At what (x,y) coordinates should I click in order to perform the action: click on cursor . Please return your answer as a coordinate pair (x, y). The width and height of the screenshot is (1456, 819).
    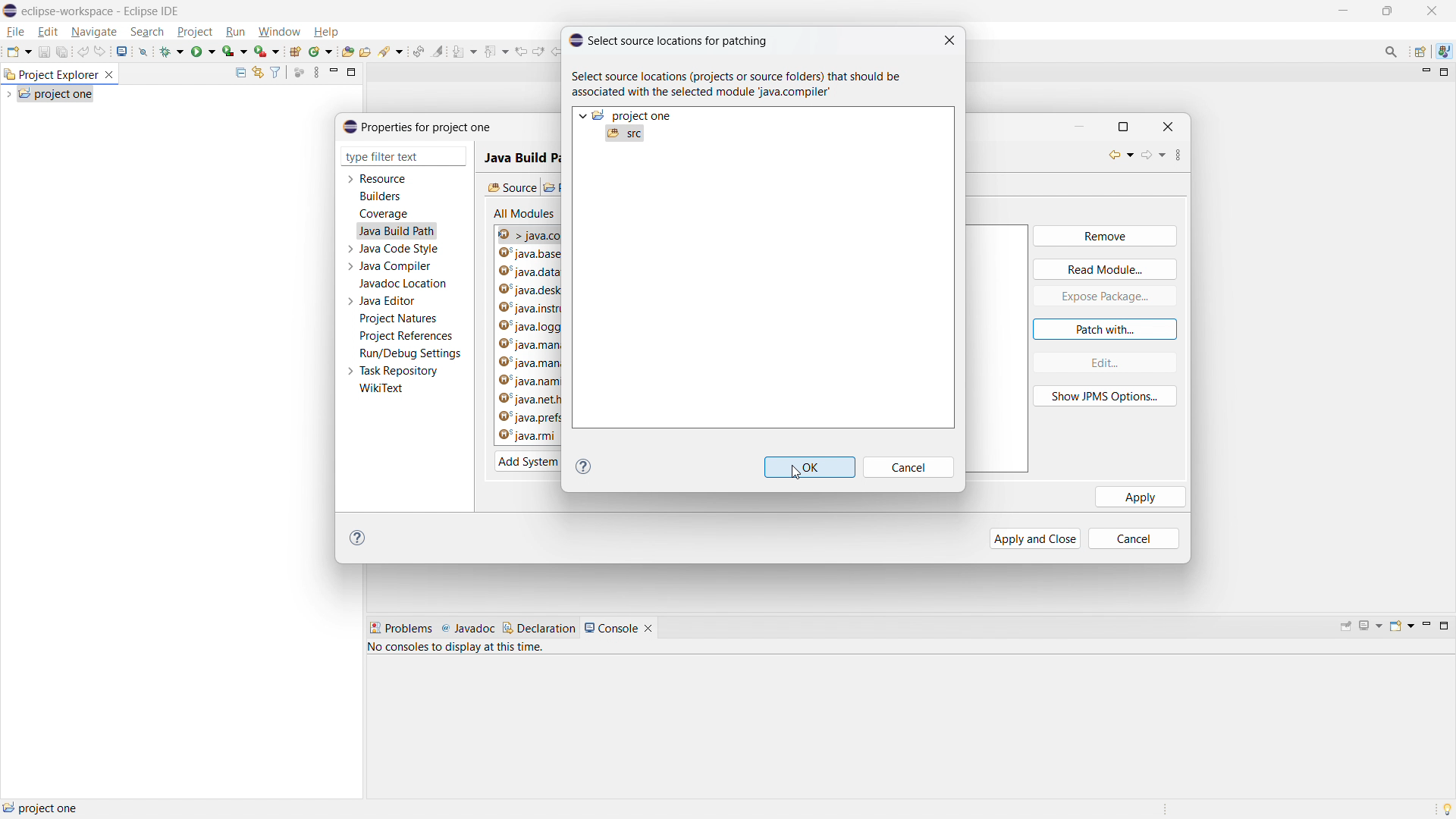
    Looking at the image, I should click on (796, 475).